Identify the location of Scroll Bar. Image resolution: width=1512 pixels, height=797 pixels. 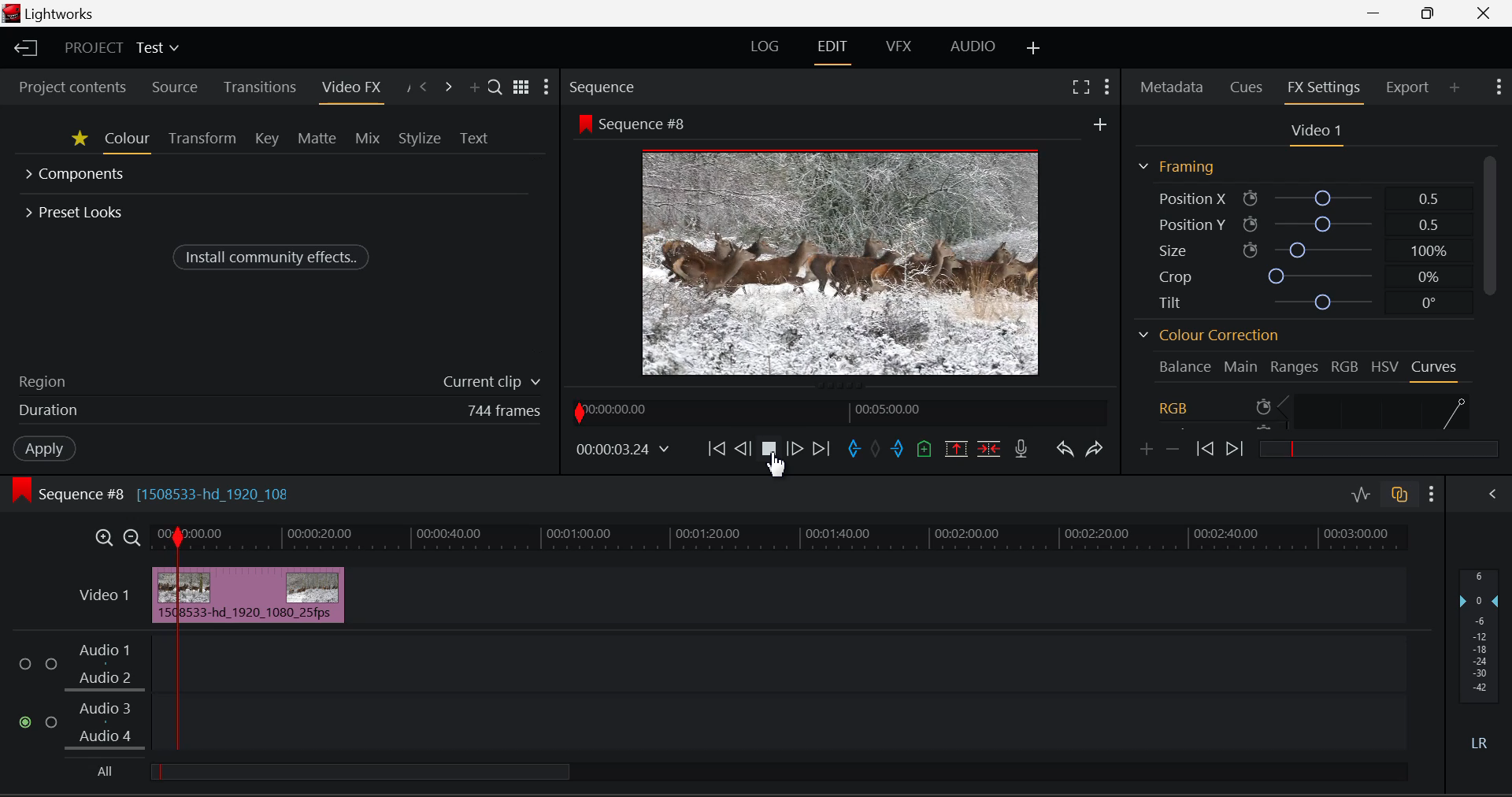
(1494, 294).